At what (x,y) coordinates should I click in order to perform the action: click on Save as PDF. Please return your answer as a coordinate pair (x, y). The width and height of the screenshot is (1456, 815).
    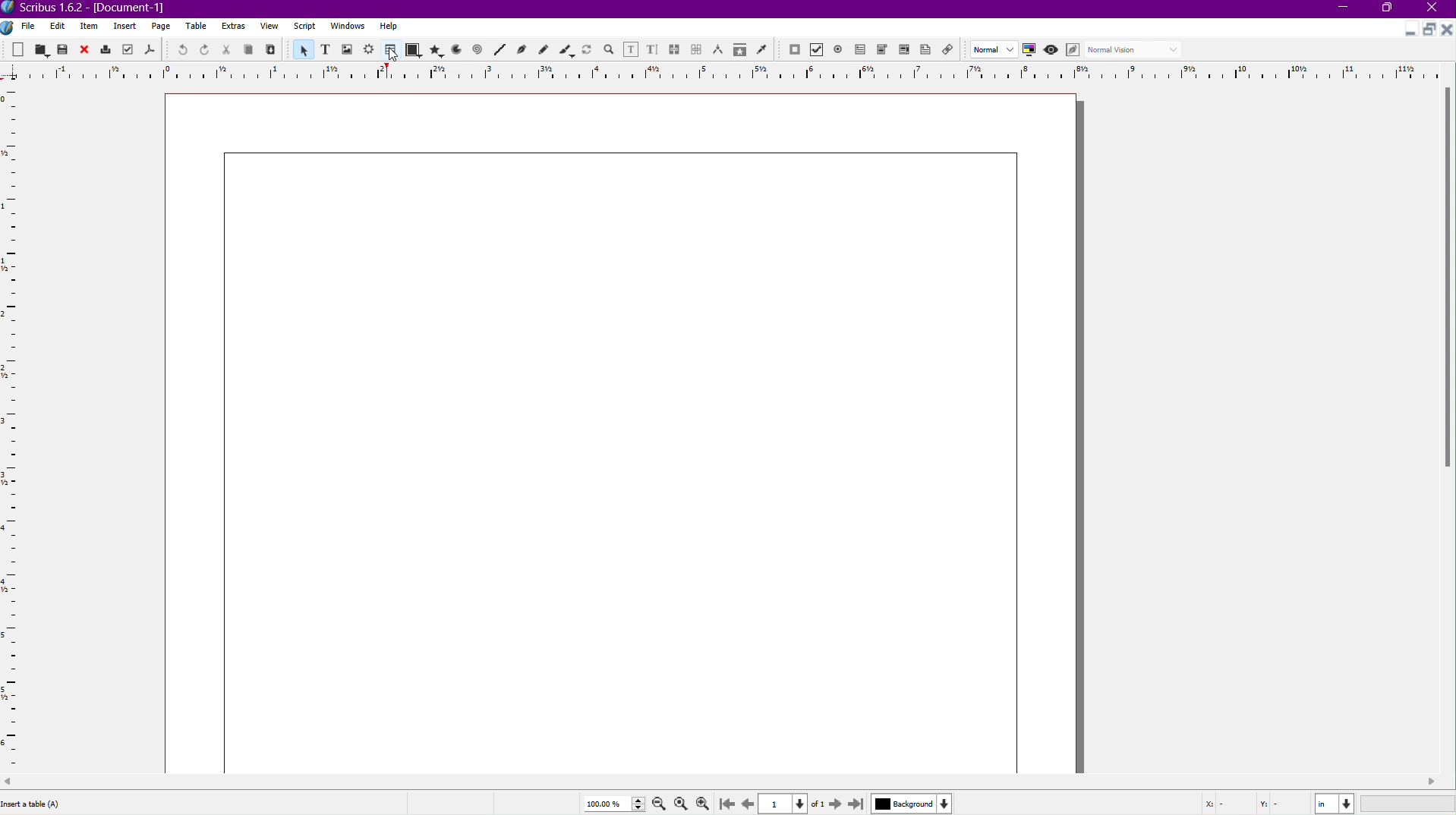
    Looking at the image, I should click on (149, 50).